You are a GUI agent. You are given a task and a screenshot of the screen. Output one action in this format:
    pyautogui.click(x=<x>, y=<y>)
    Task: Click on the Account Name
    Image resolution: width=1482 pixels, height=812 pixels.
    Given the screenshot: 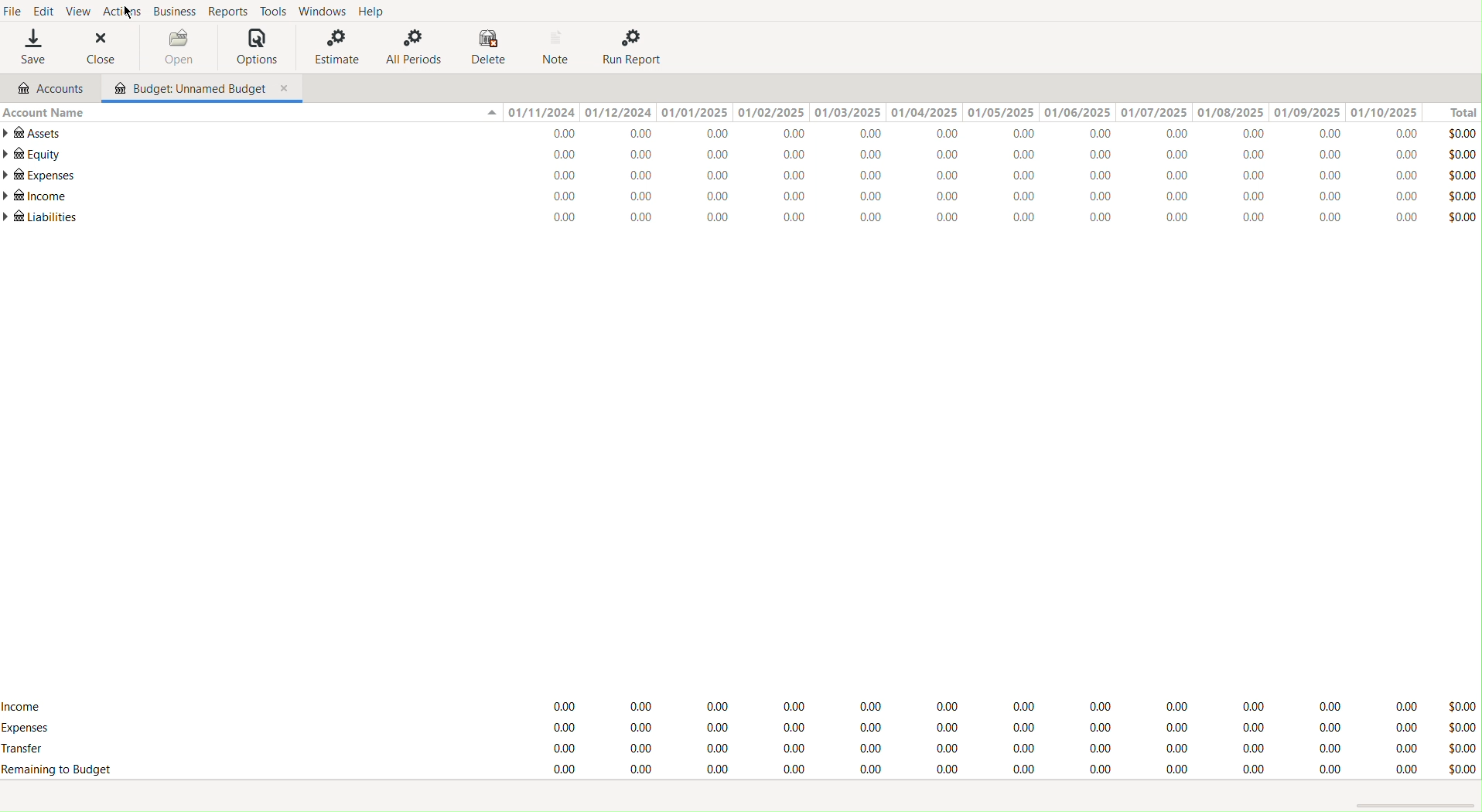 What is the action you would take?
    pyautogui.click(x=43, y=111)
    